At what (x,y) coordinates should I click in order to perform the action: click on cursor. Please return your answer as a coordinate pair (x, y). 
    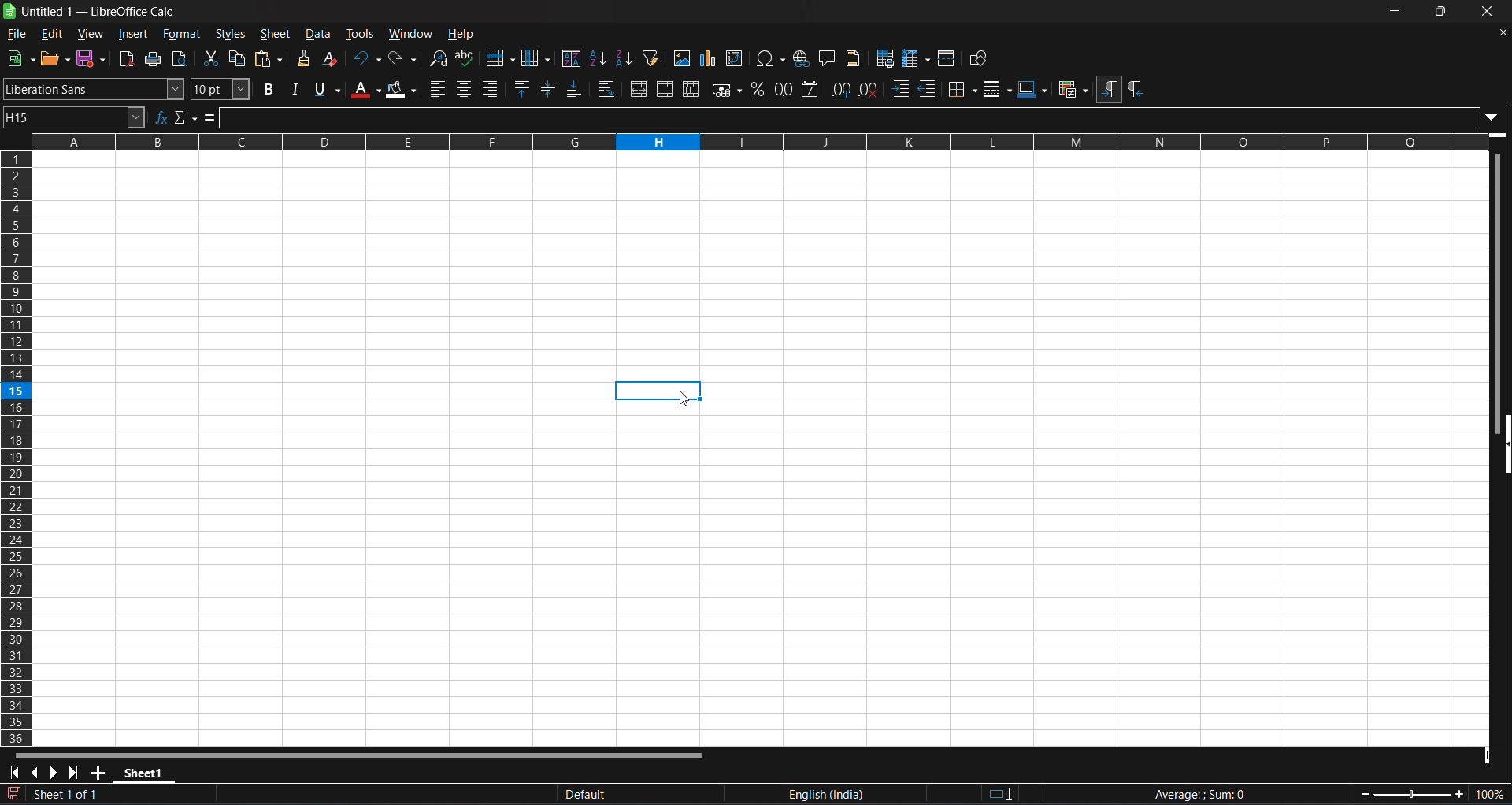
    Looking at the image, I should click on (682, 399).